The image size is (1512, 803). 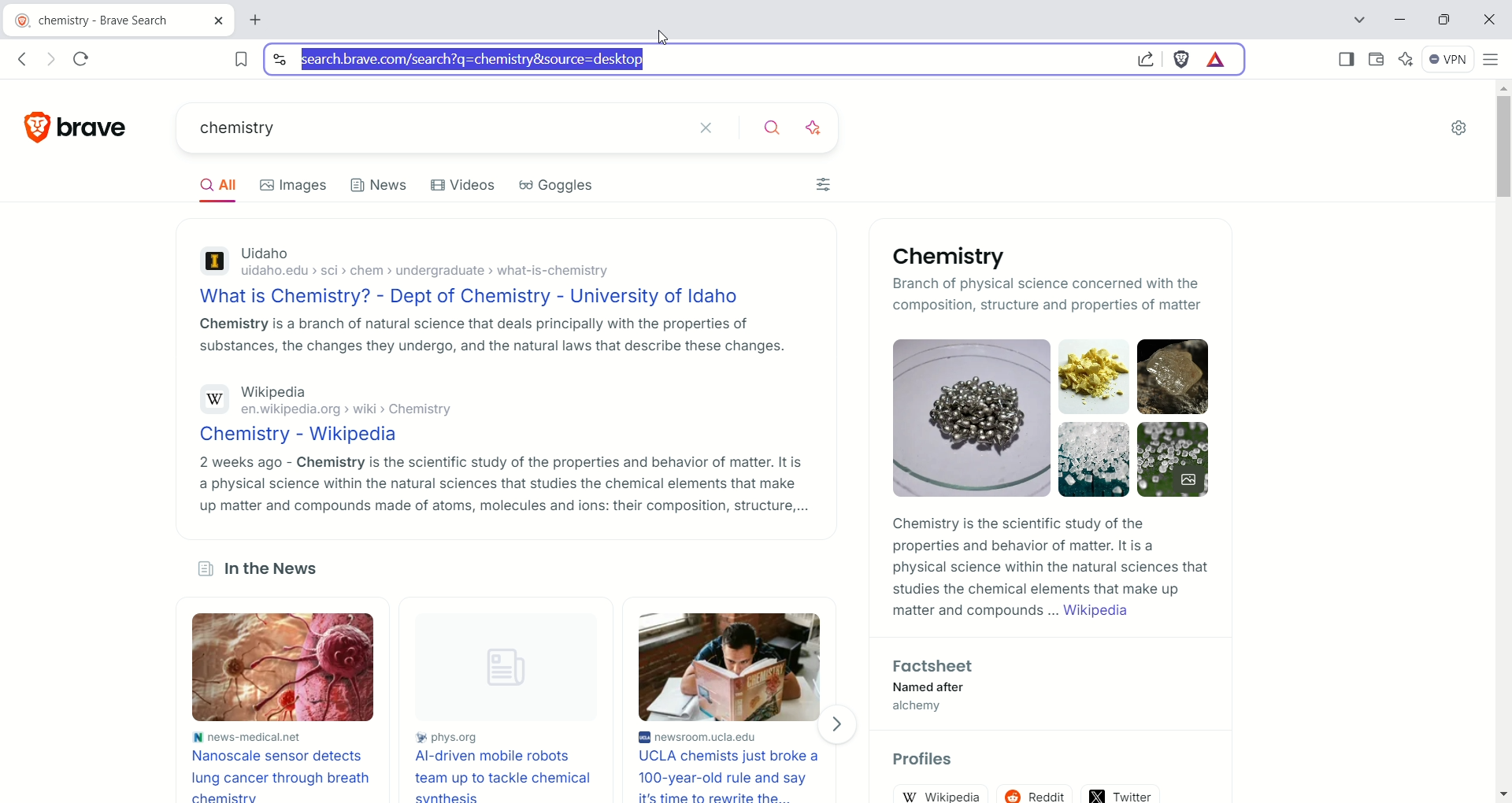 What do you see at coordinates (233, 59) in the screenshot?
I see `bookmark` at bounding box center [233, 59].